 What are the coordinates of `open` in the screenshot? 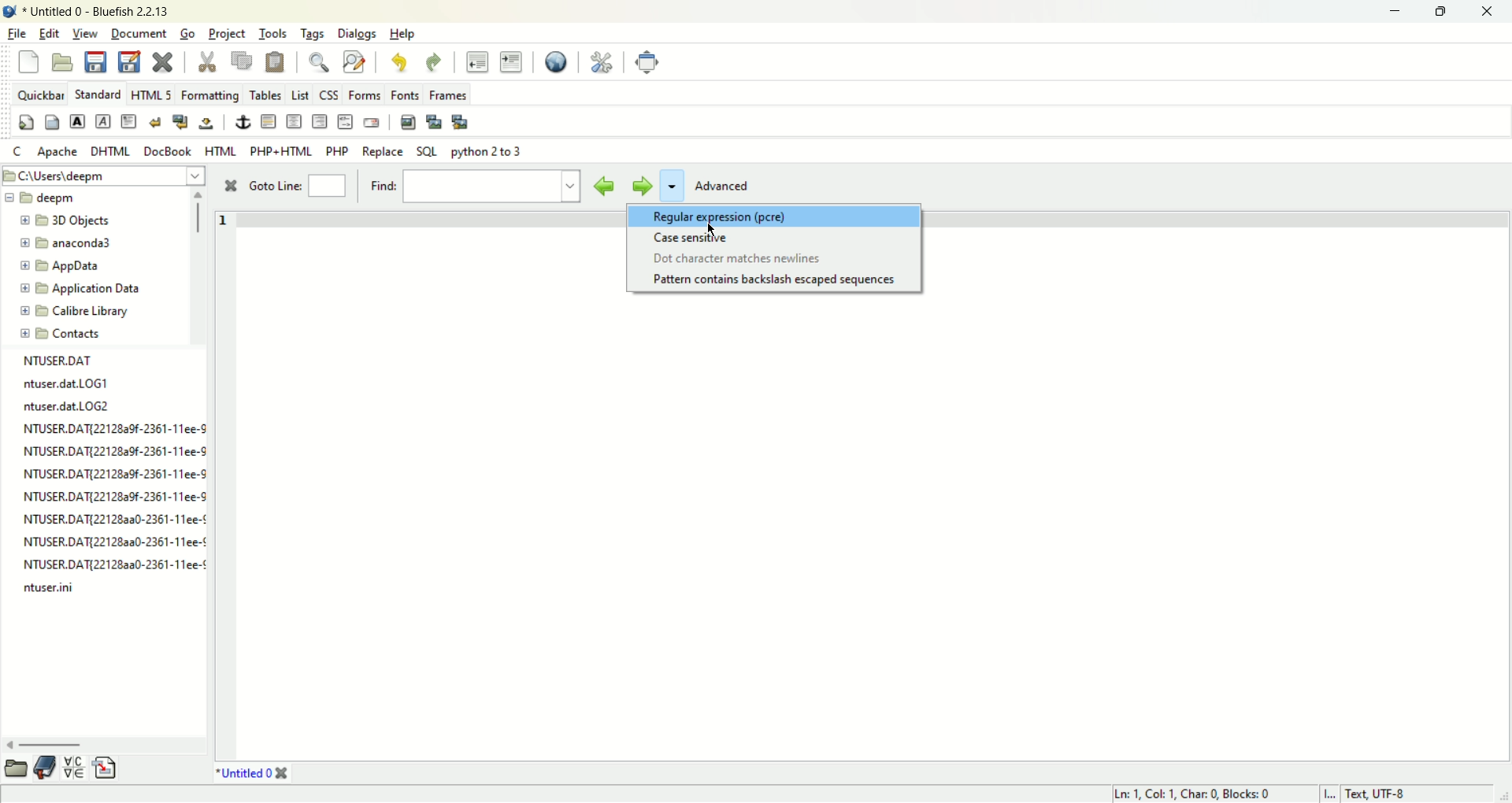 It's located at (62, 62).